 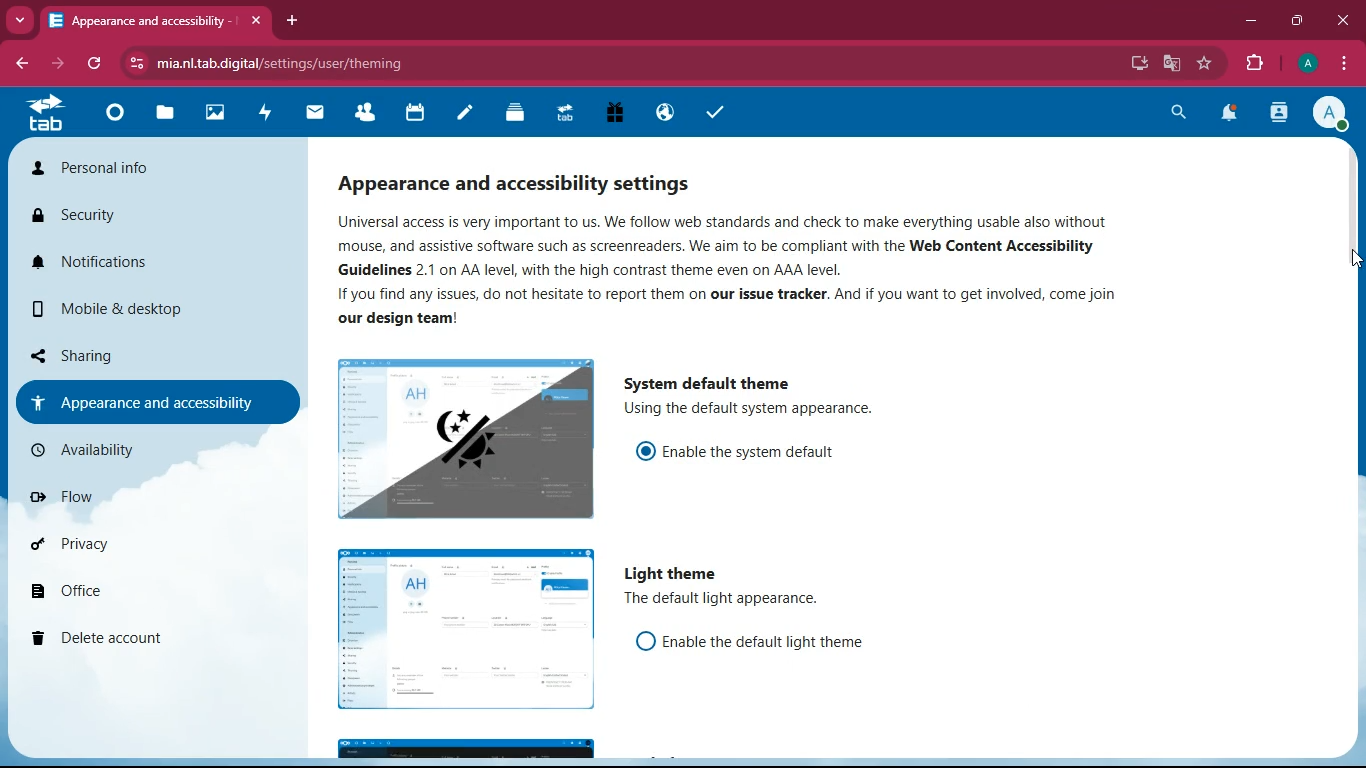 I want to click on enable, so click(x=754, y=453).